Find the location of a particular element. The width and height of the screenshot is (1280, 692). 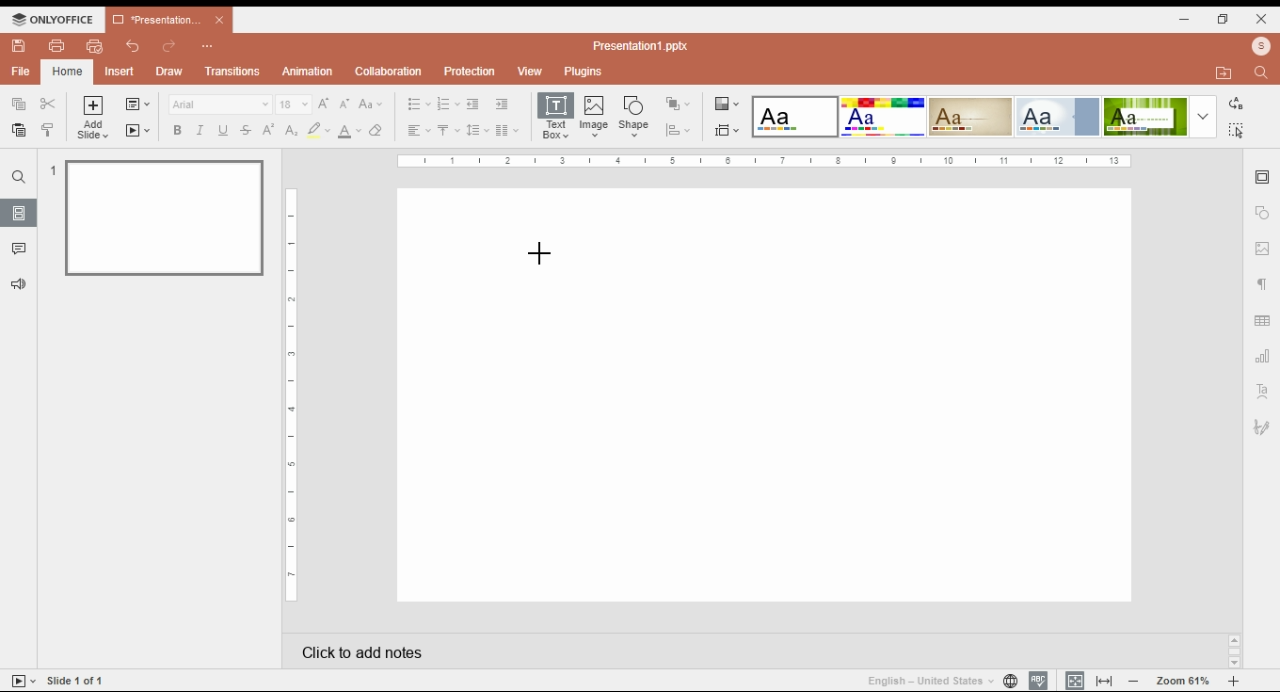

language settings is located at coordinates (1009, 681).